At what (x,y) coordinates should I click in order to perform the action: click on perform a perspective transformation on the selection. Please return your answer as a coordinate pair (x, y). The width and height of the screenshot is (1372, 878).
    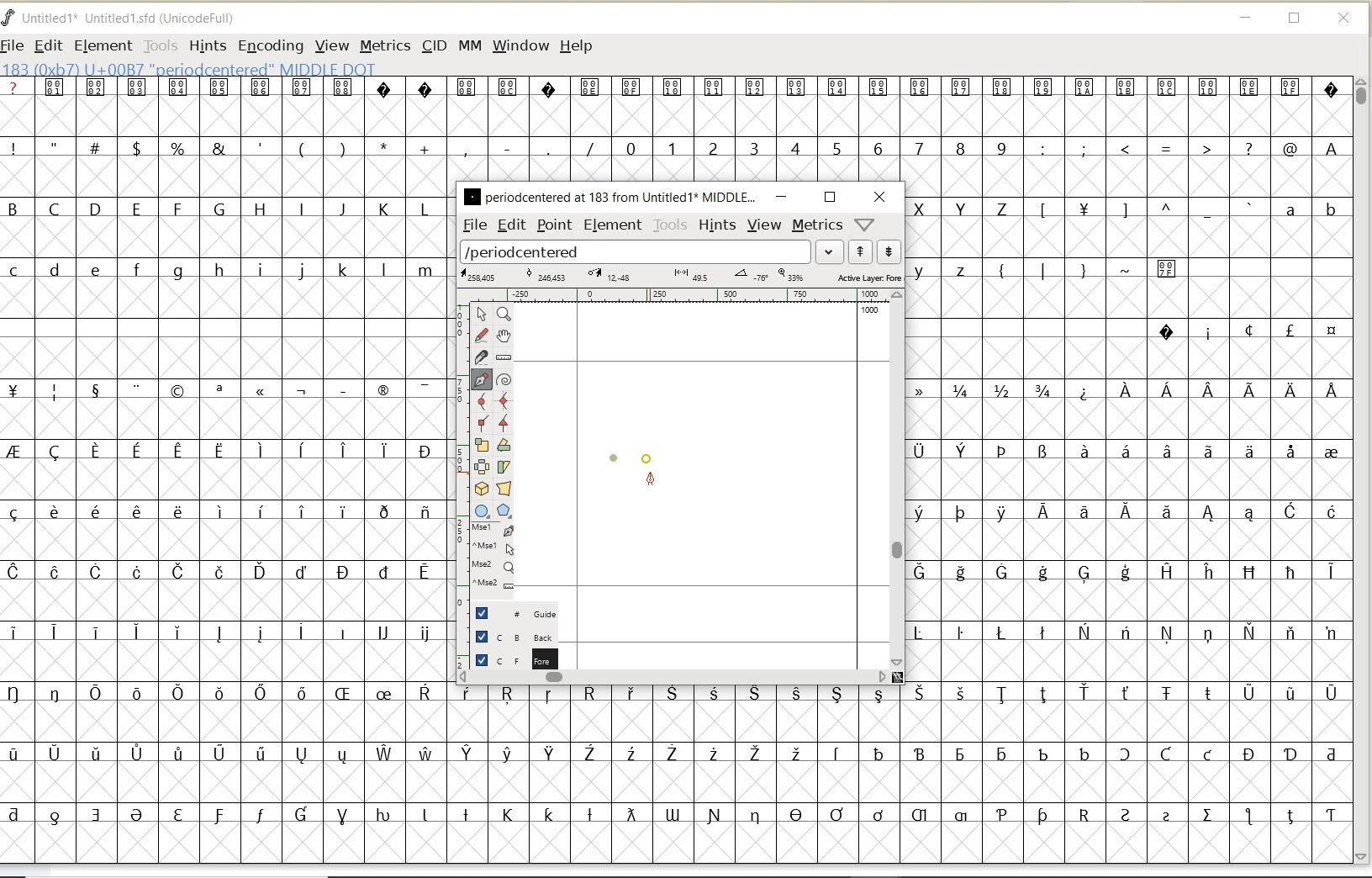
    Looking at the image, I should click on (504, 489).